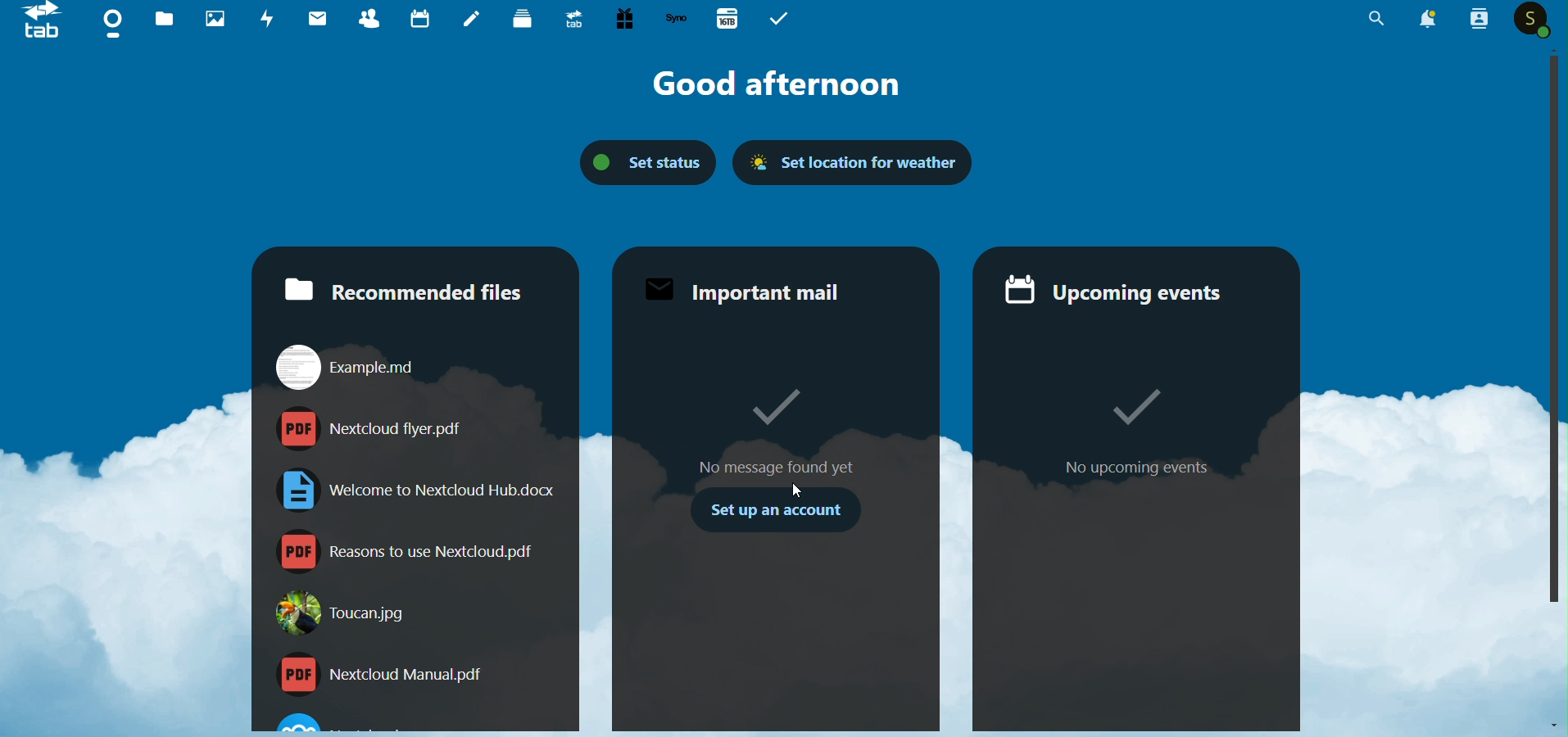  I want to click on Set up an account, so click(773, 515).